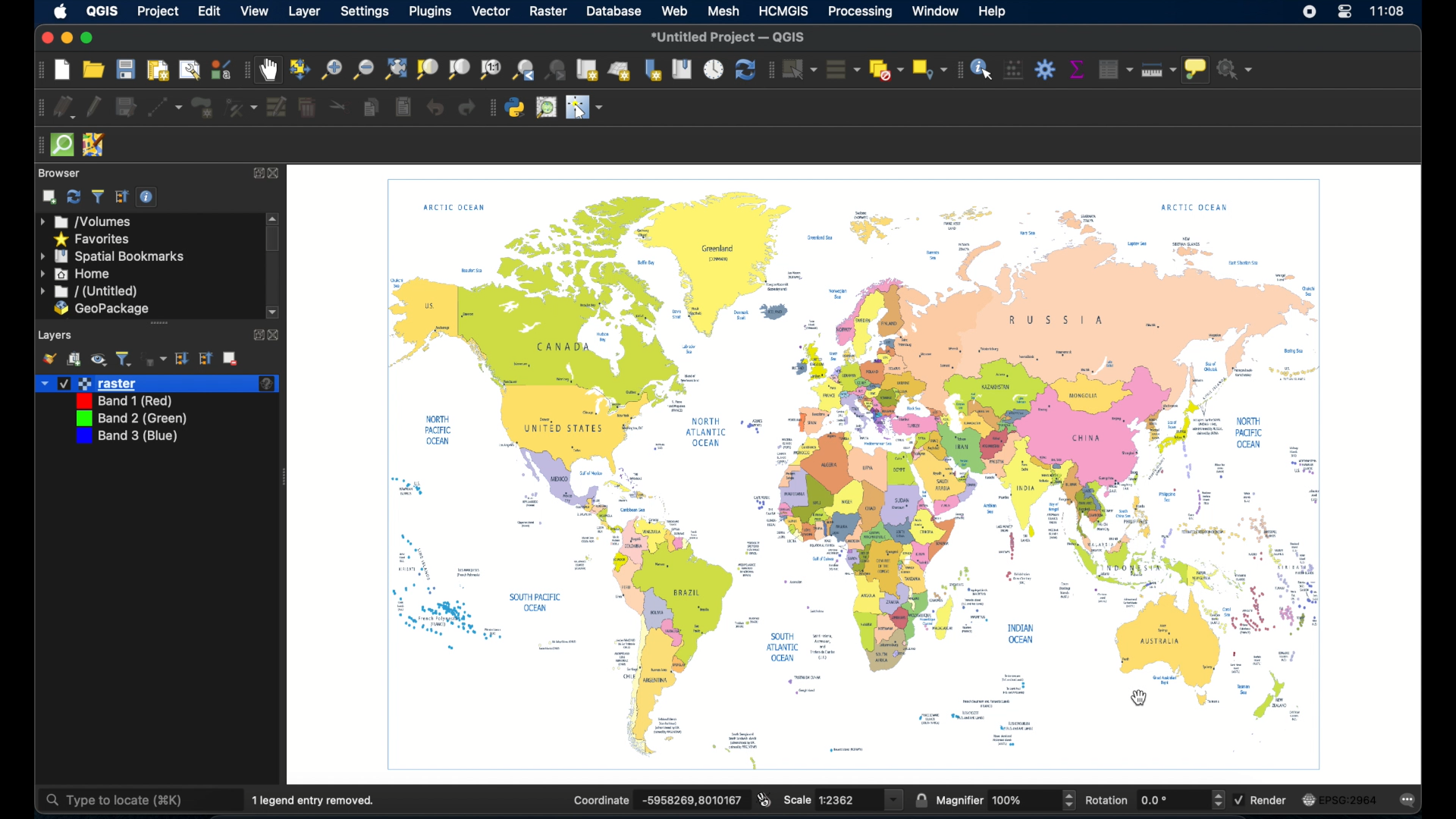  What do you see at coordinates (158, 70) in the screenshot?
I see `new print layout` at bounding box center [158, 70].